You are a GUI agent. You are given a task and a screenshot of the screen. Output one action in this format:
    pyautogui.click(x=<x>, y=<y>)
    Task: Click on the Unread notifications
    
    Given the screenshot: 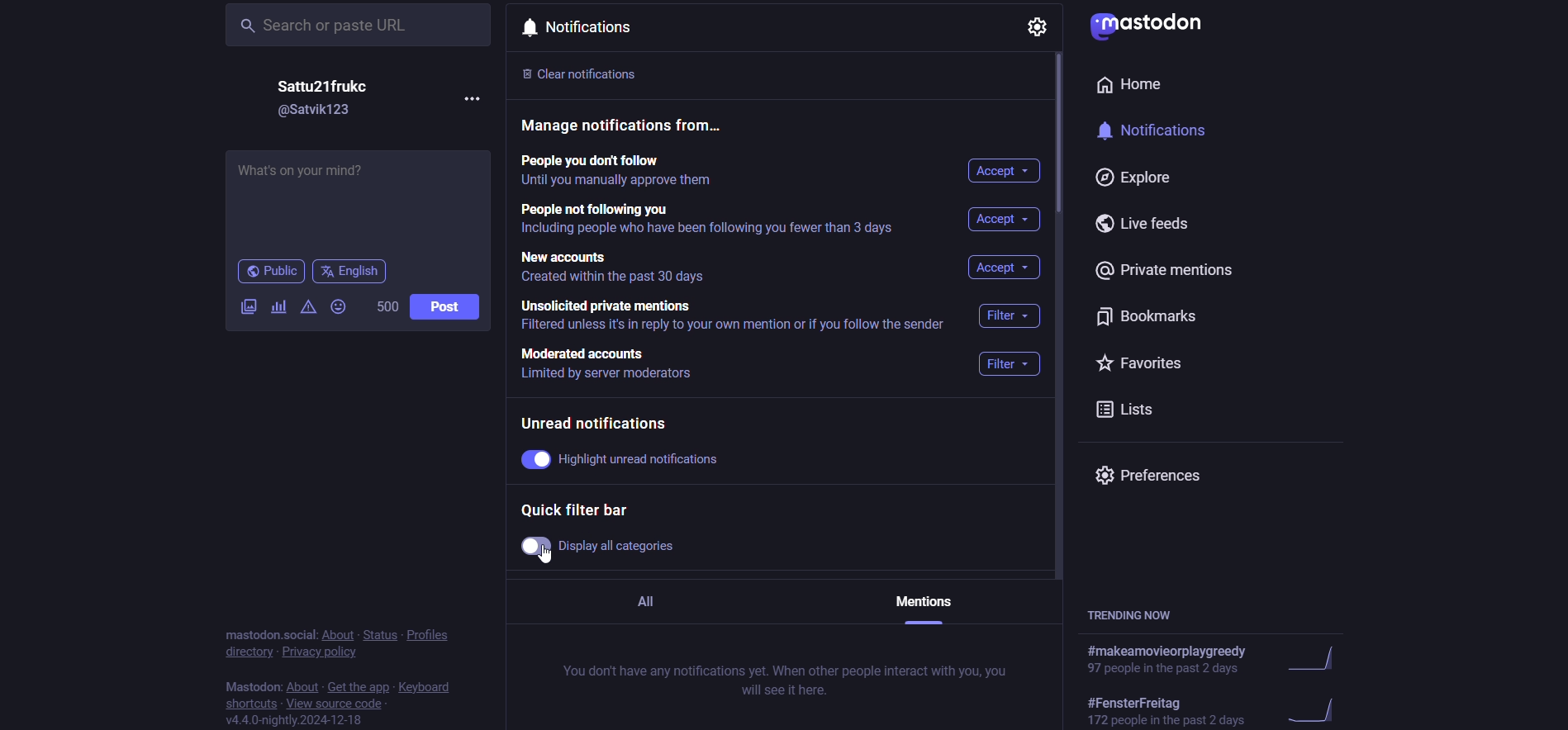 What is the action you would take?
    pyautogui.click(x=601, y=421)
    